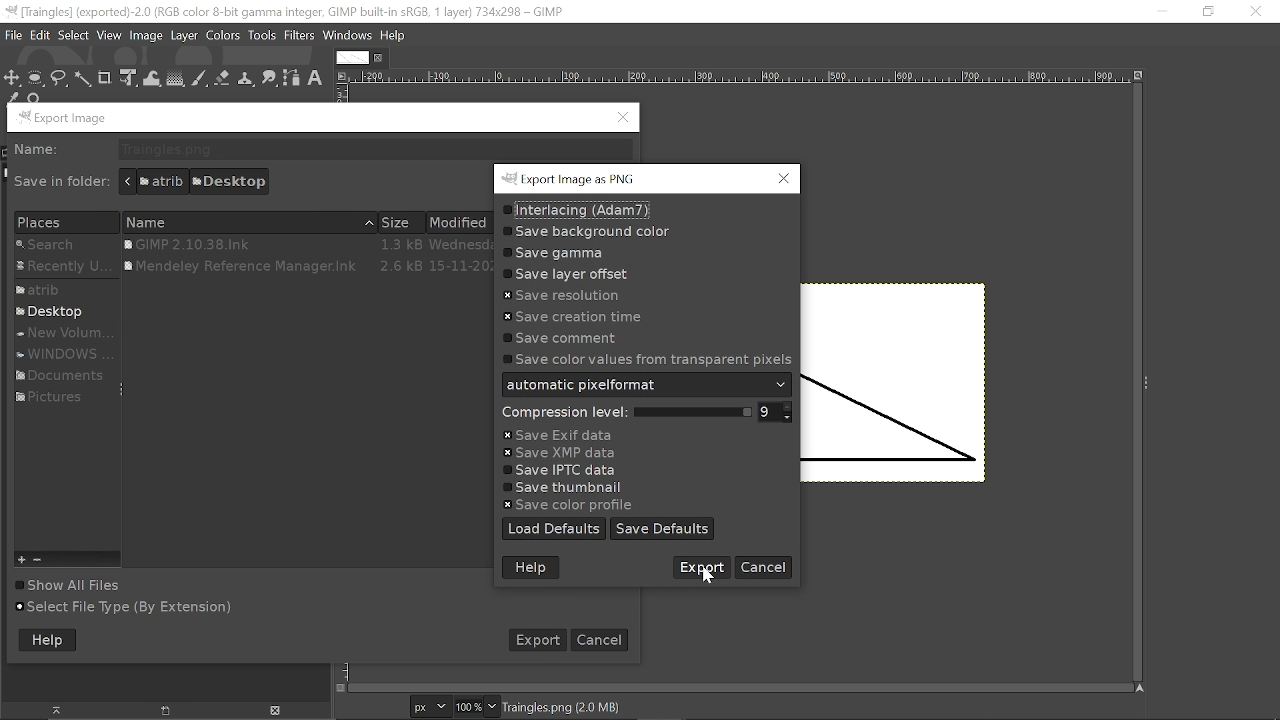 The width and height of the screenshot is (1280, 720). Describe the element at coordinates (161, 711) in the screenshot. I see `Create a new display for this image` at that location.